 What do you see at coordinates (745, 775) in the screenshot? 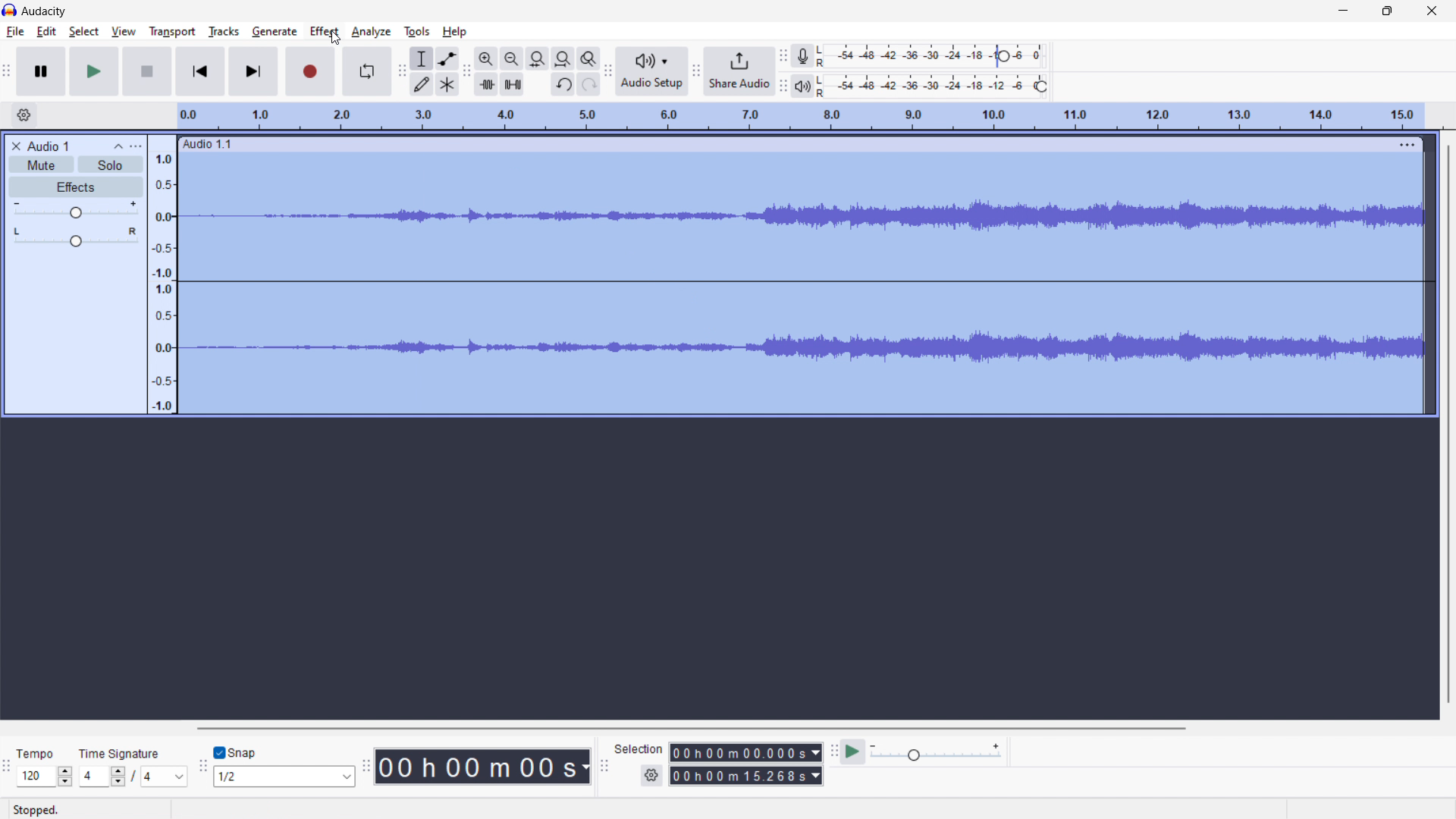
I see `end time` at bounding box center [745, 775].